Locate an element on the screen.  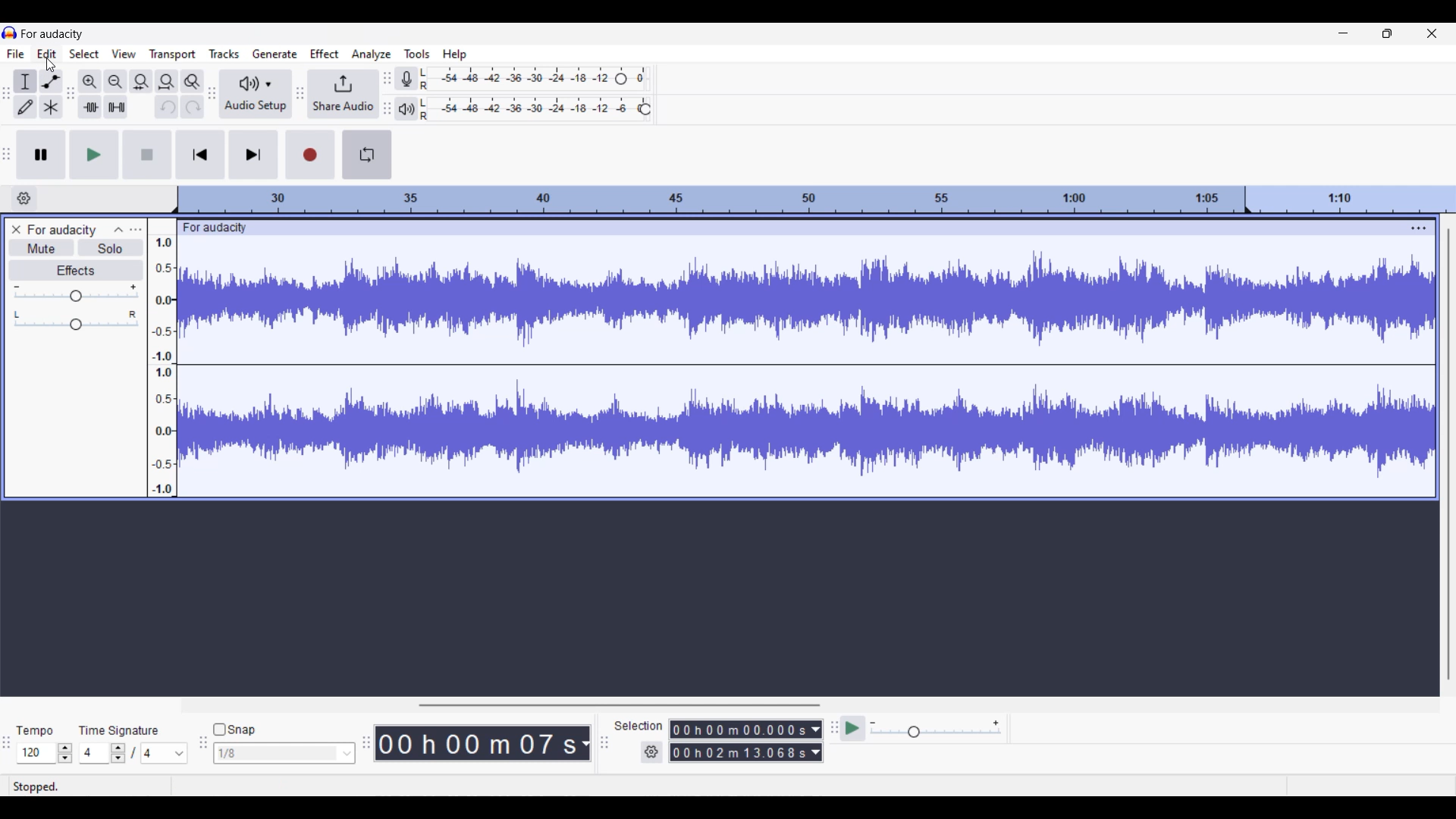
Close interface is located at coordinates (1432, 33).